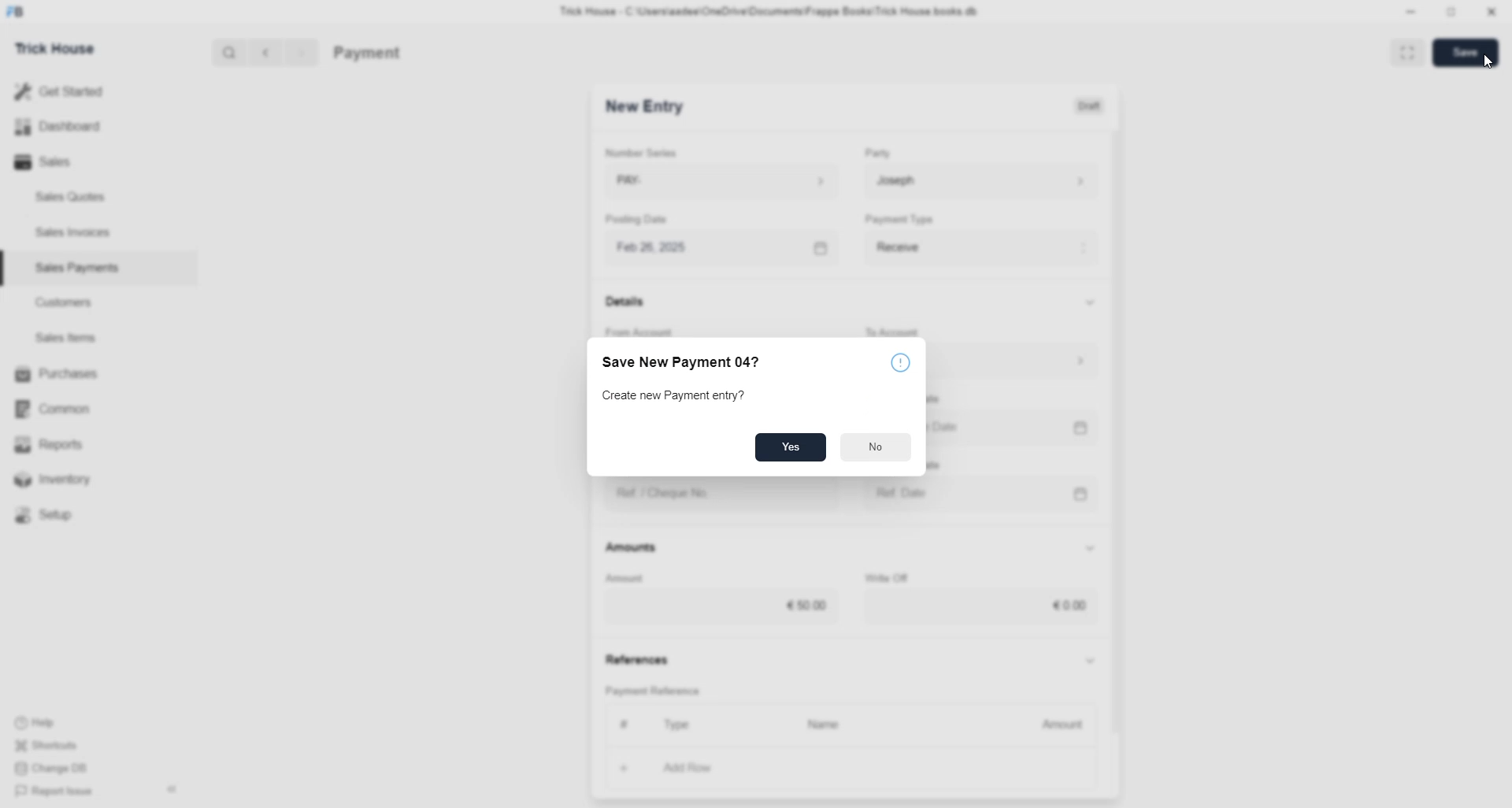 The height and width of the screenshot is (808, 1512). What do you see at coordinates (1465, 52) in the screenshot?
I see `Save` at bounding box center [1465, 52].